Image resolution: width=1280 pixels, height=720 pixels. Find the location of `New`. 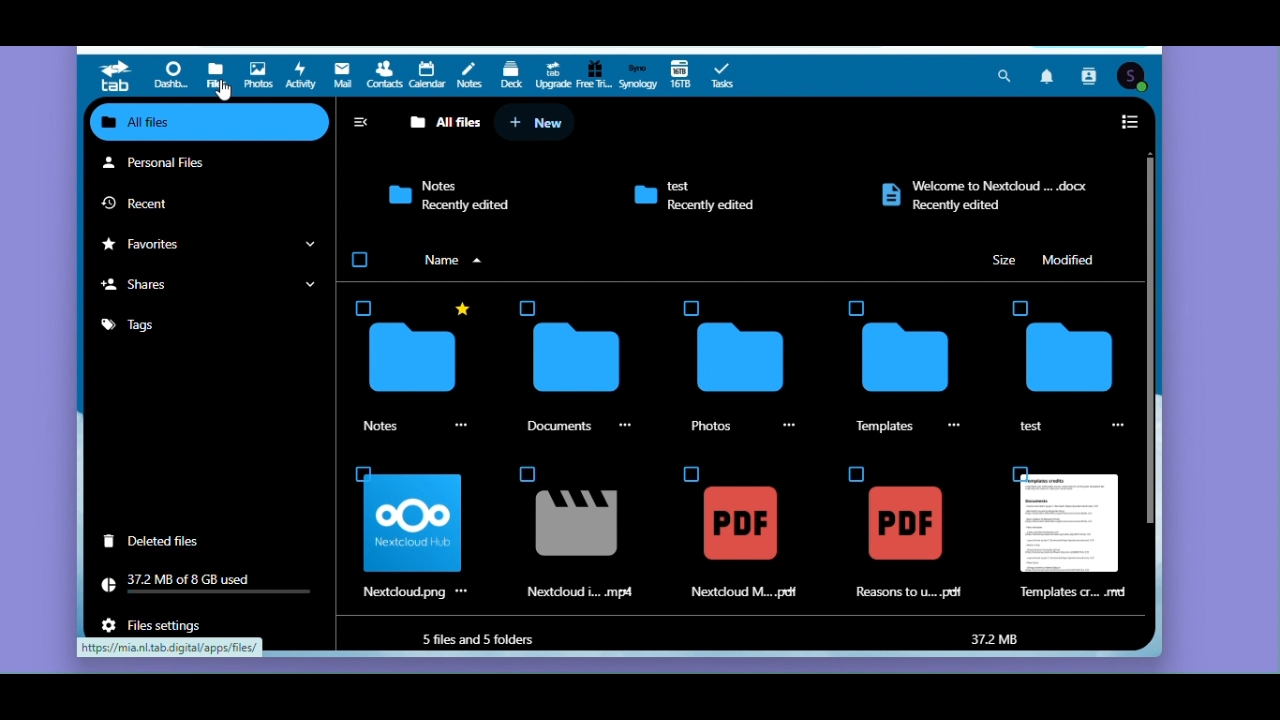

New is located at coordinates (535, 123).